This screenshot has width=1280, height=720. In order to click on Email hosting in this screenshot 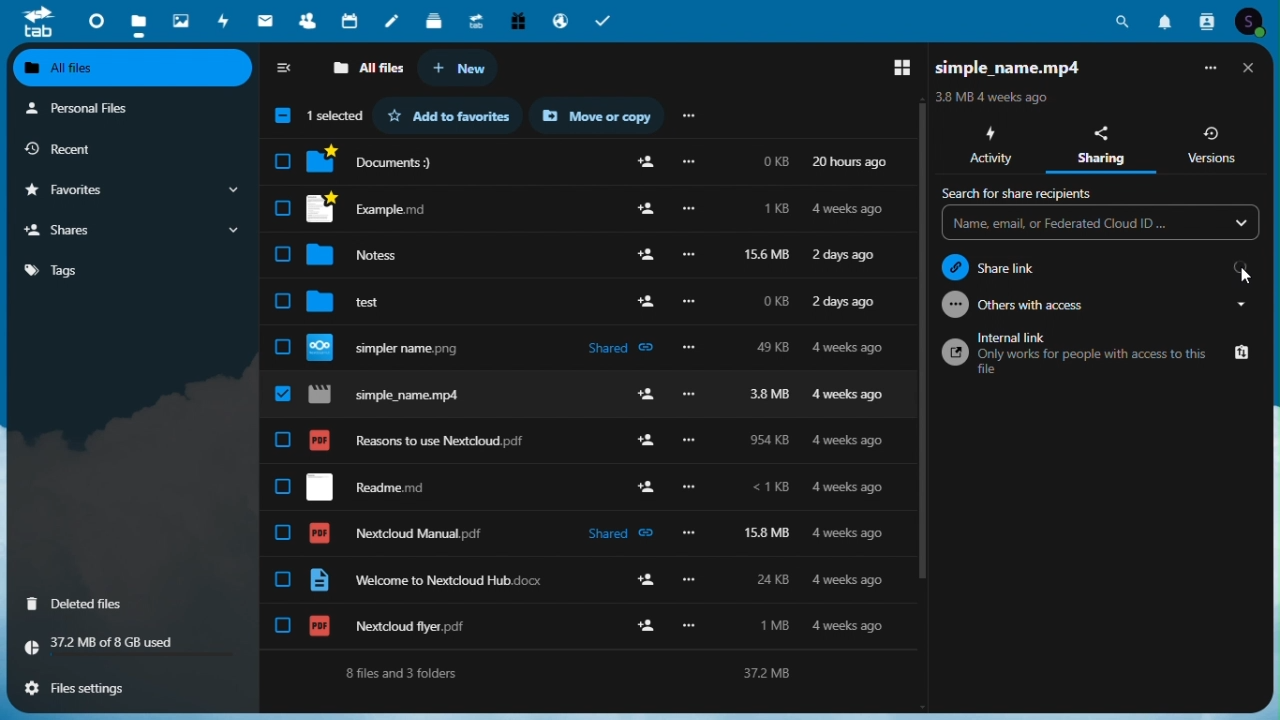, I will do `click(559, 20)`.